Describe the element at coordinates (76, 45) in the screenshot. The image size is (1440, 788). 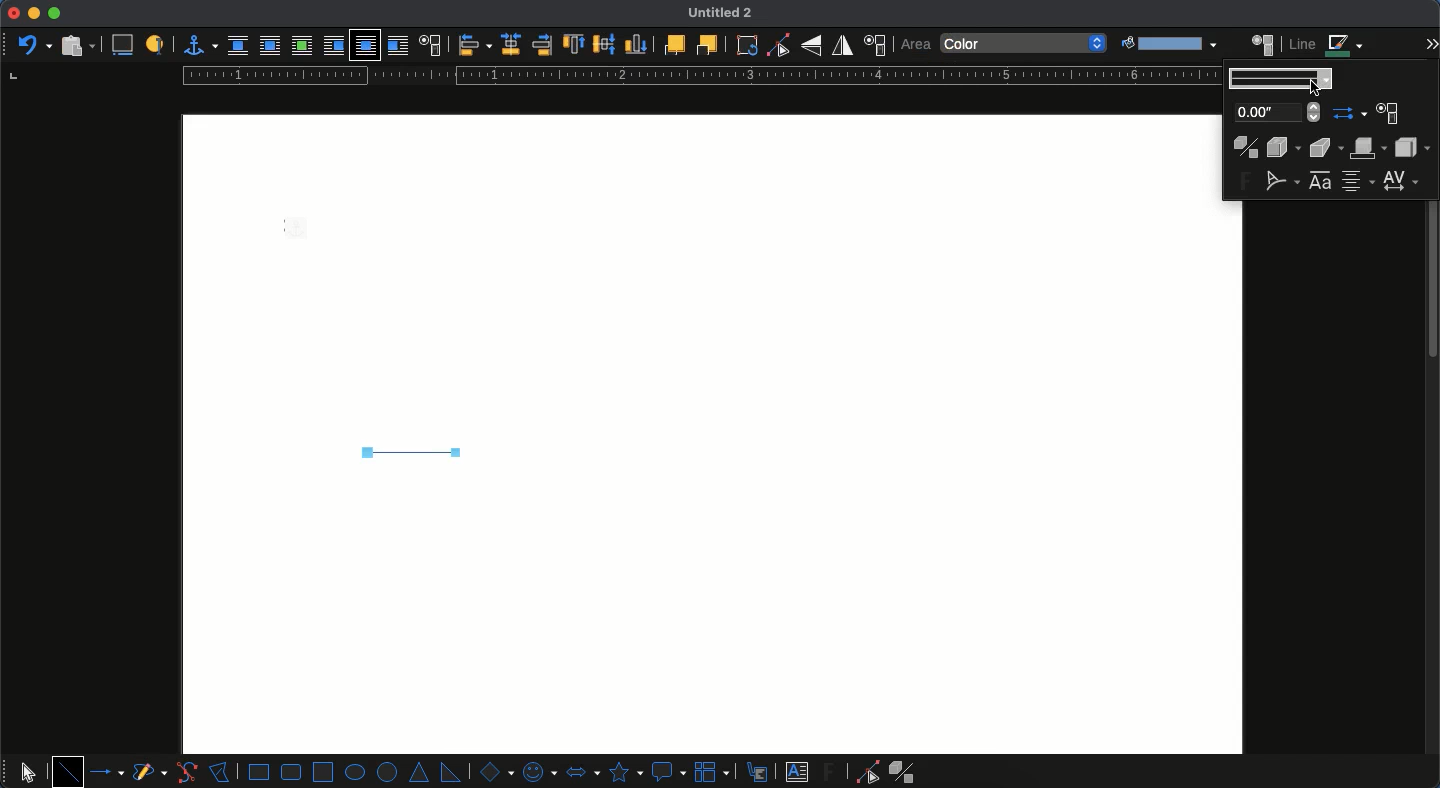
I see `paste` at that location.